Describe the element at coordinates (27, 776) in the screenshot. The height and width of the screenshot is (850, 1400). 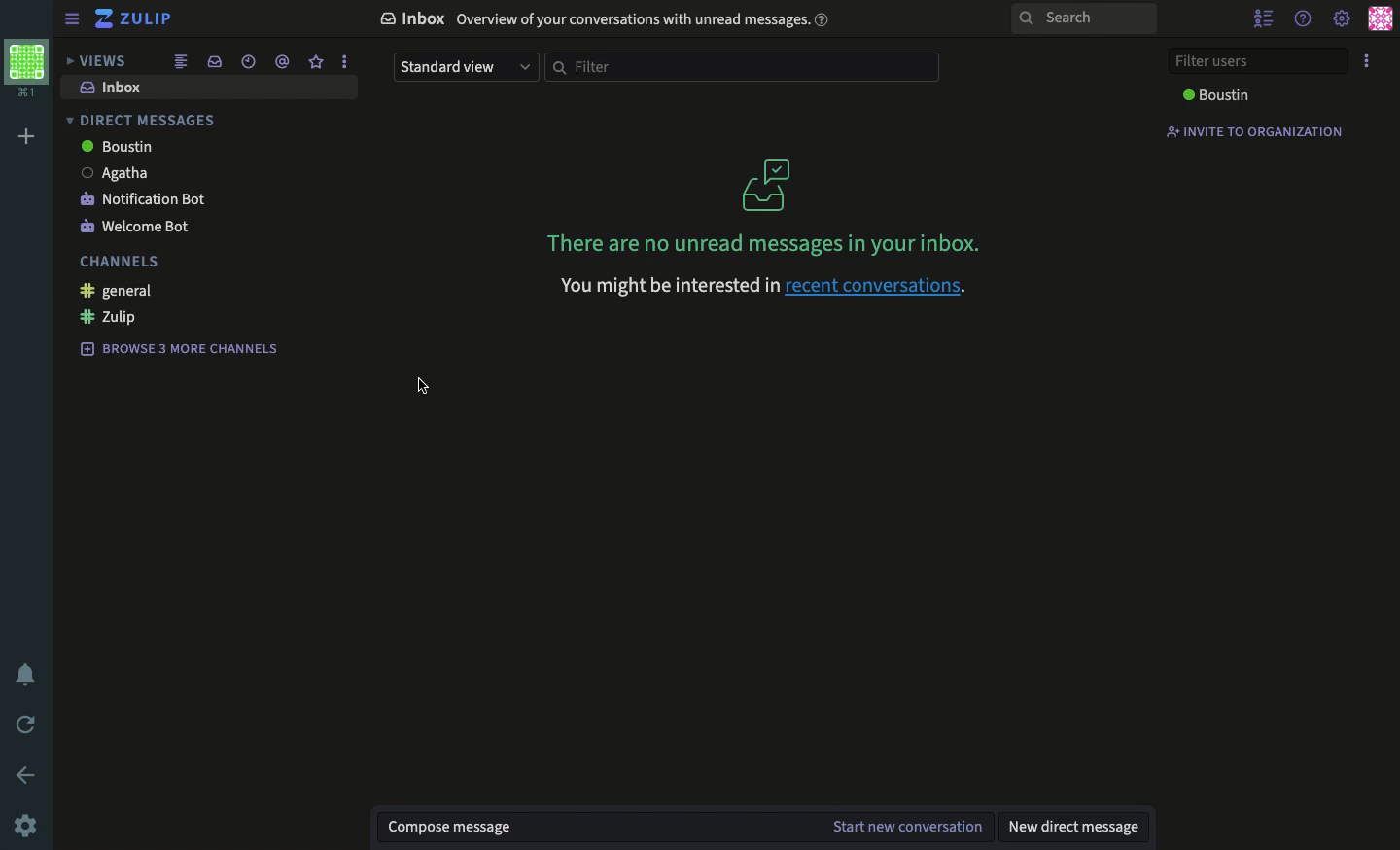
I see `back` at that location.